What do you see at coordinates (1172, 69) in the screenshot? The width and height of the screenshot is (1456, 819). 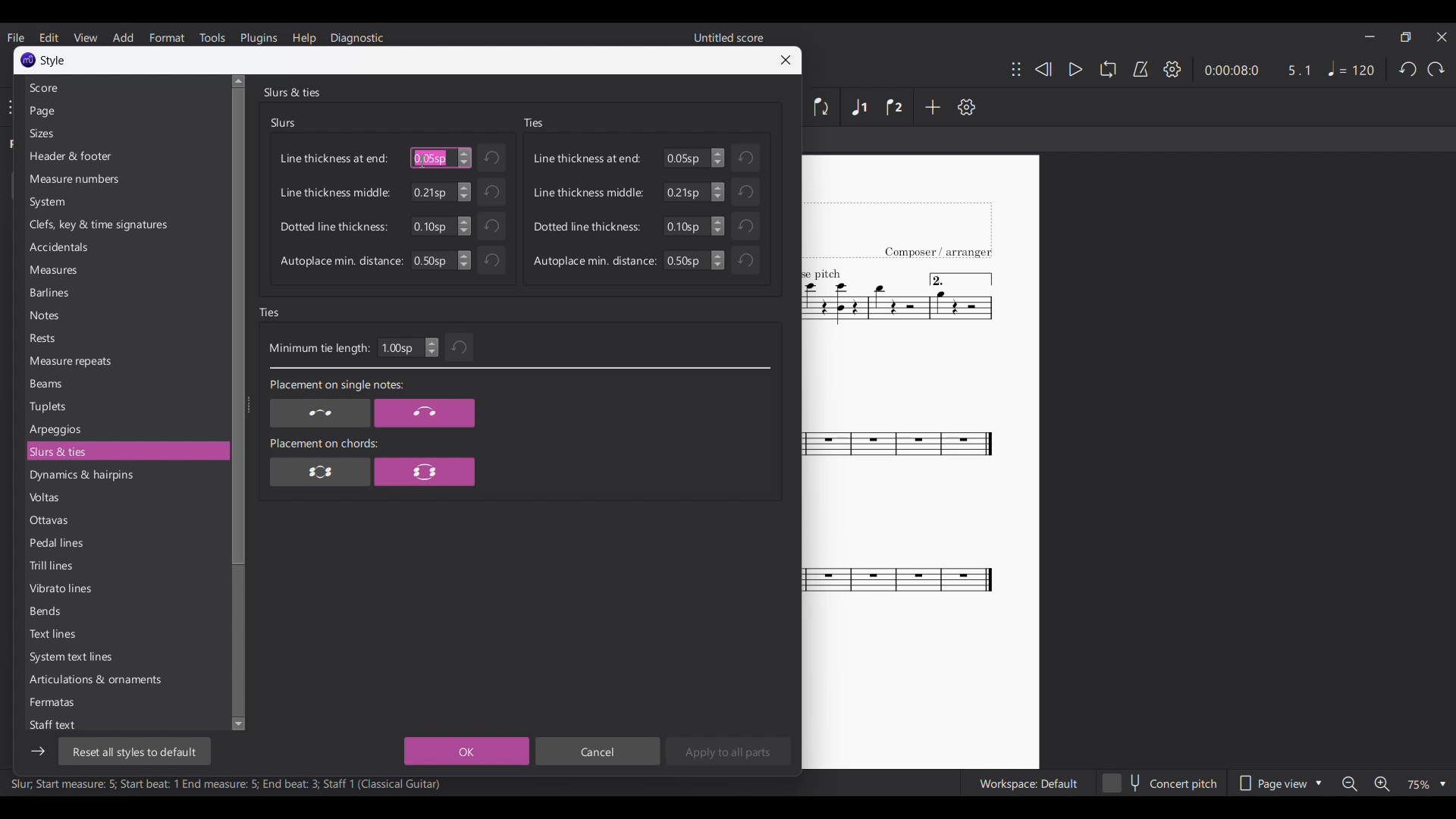 I see `Settings` at bounding box center [1172, 69].